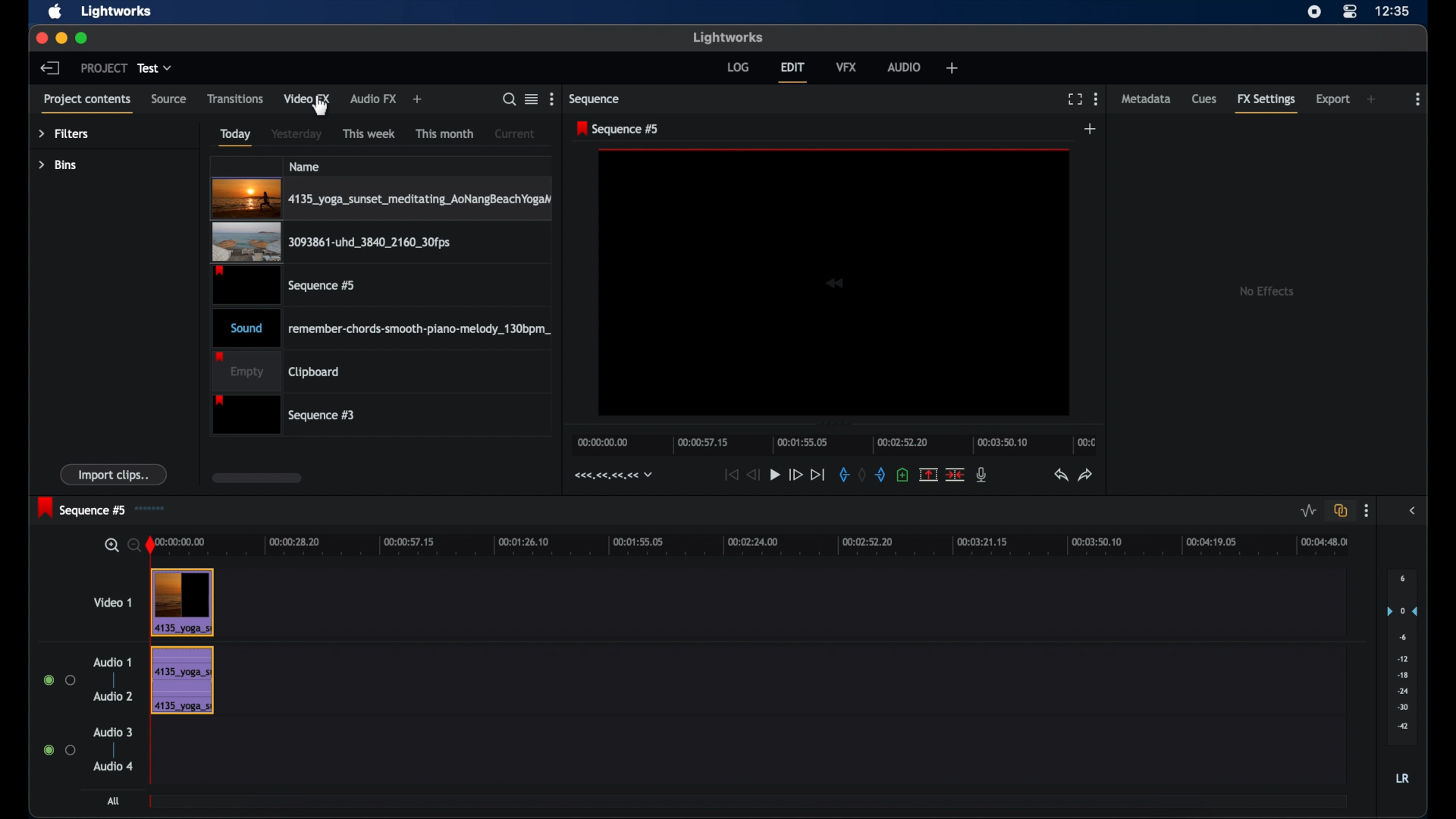  What do you see at coordinates (388, 309) in the screenshot?
I see `video files` at bounding box center [388, 309].